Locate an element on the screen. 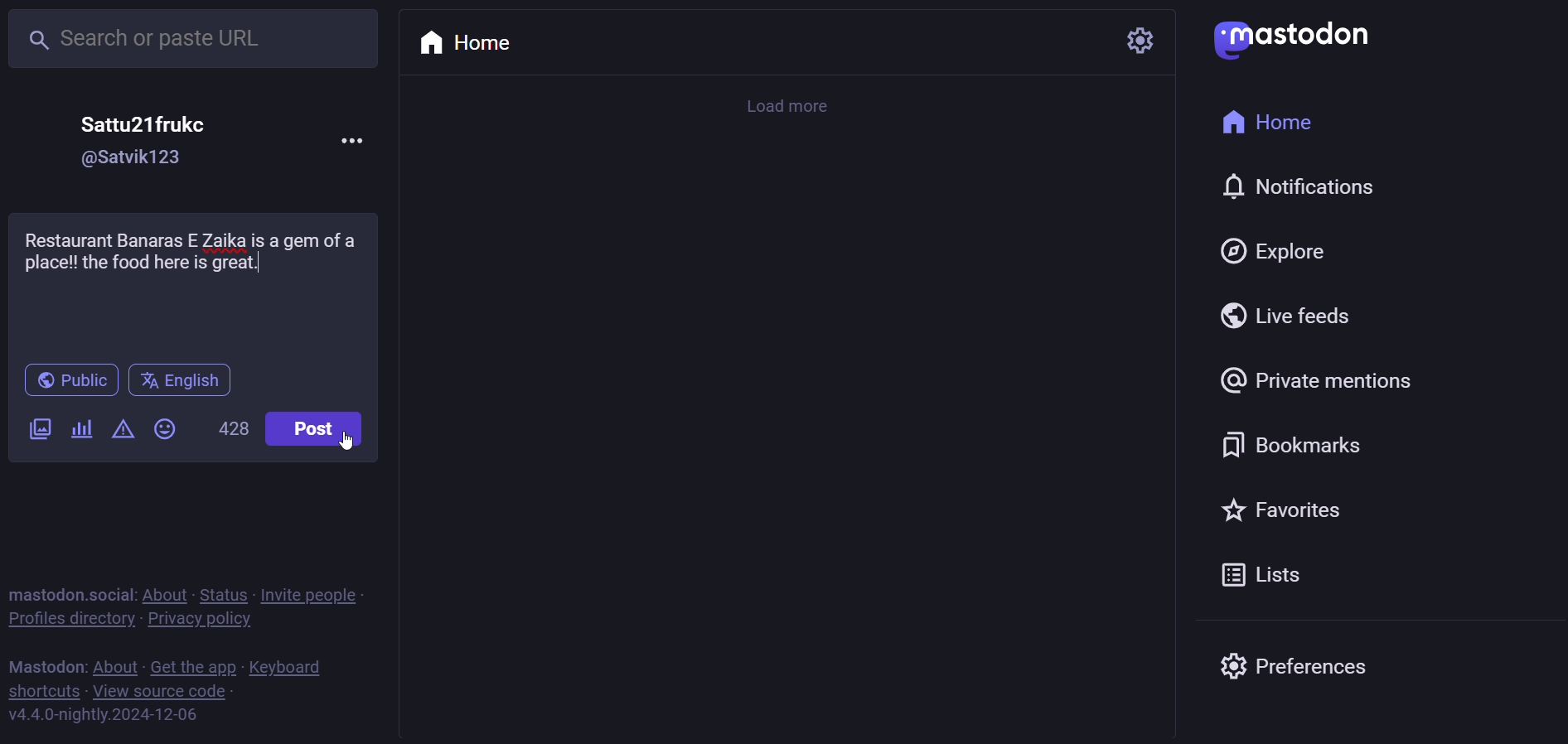  post is located at coordinates (317, 428).